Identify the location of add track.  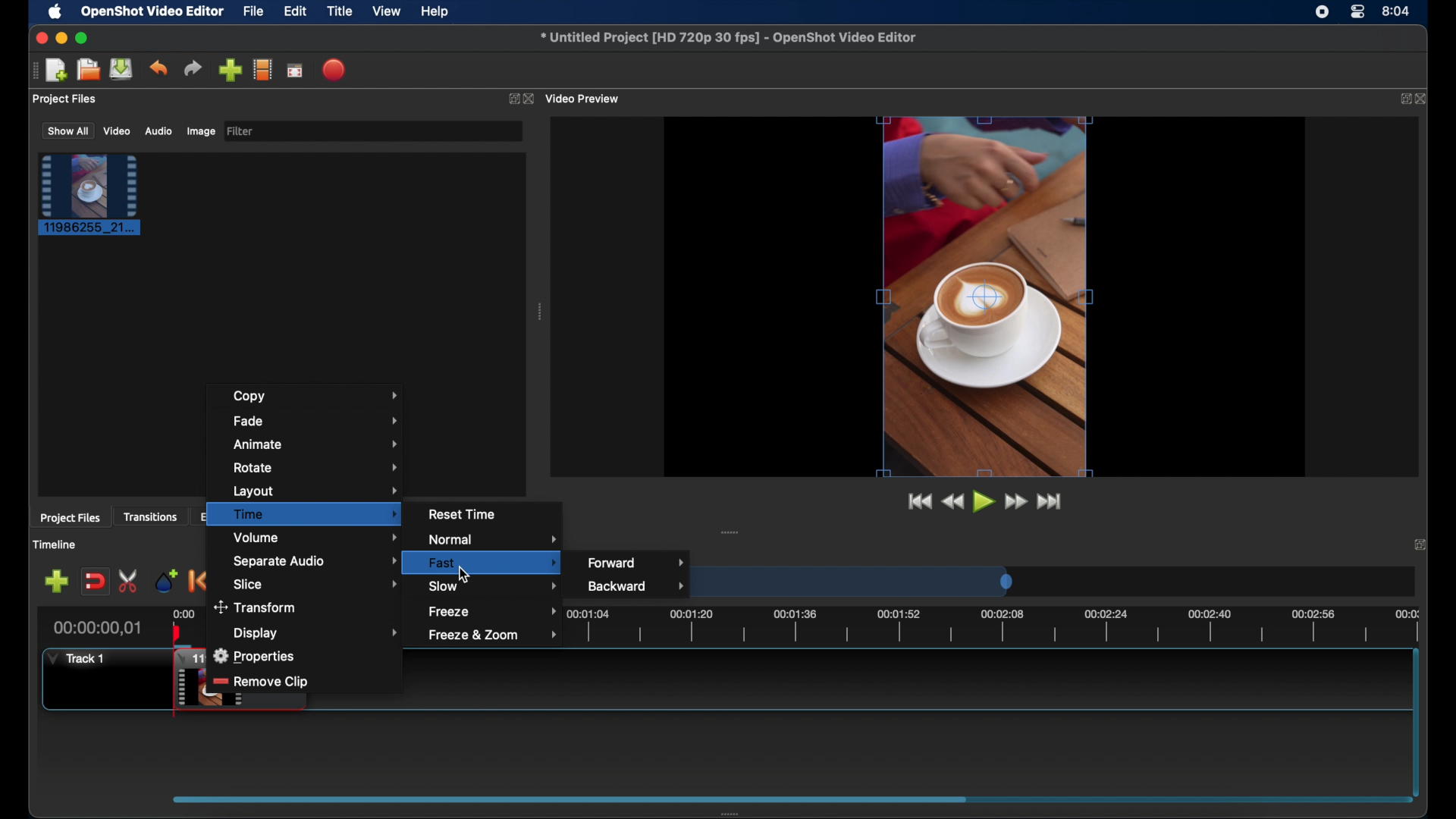
(56, 581).